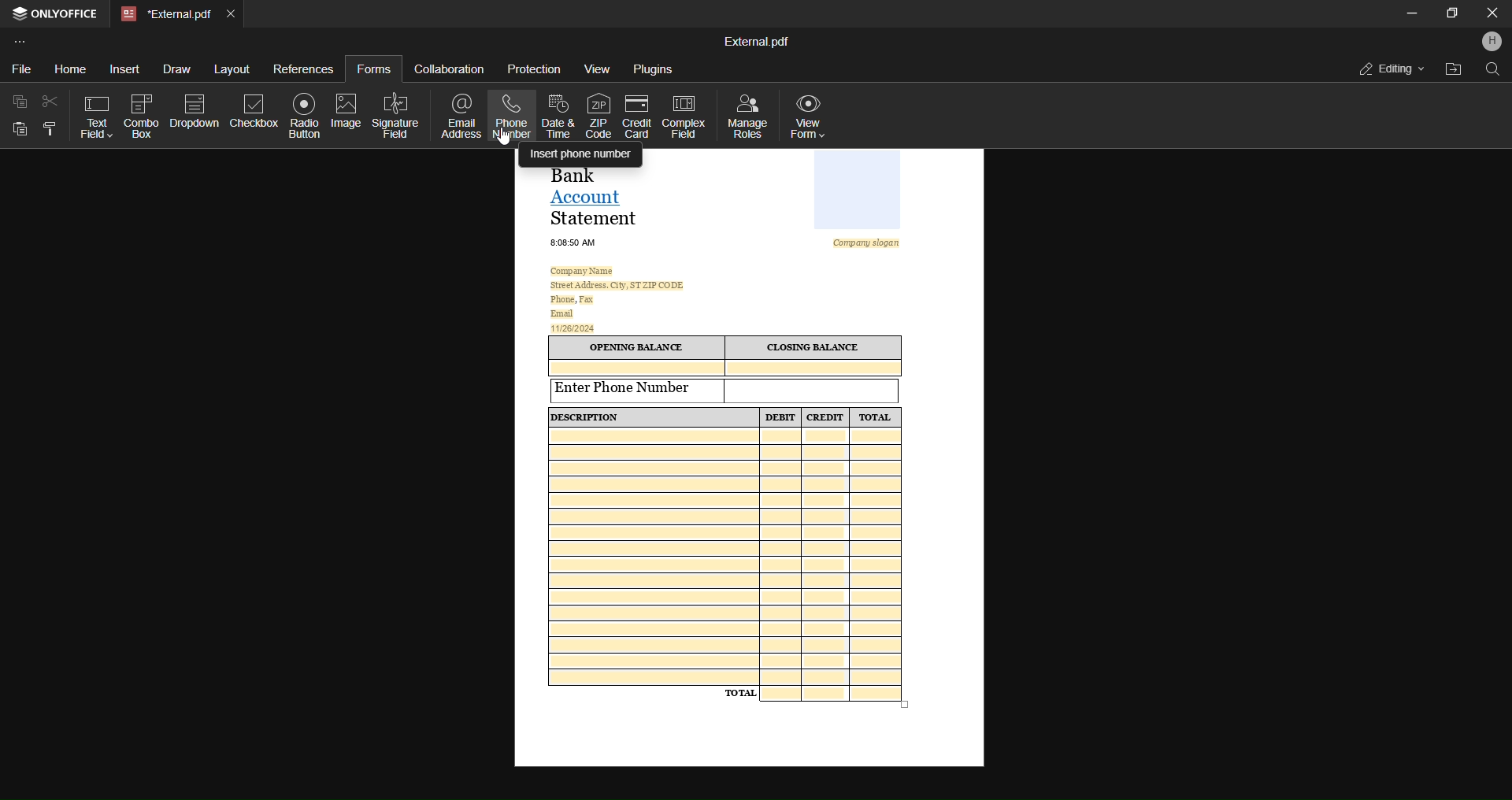  Describe the element at coordinates (598, 113) in the screenshot. I see `zip code` at that location.